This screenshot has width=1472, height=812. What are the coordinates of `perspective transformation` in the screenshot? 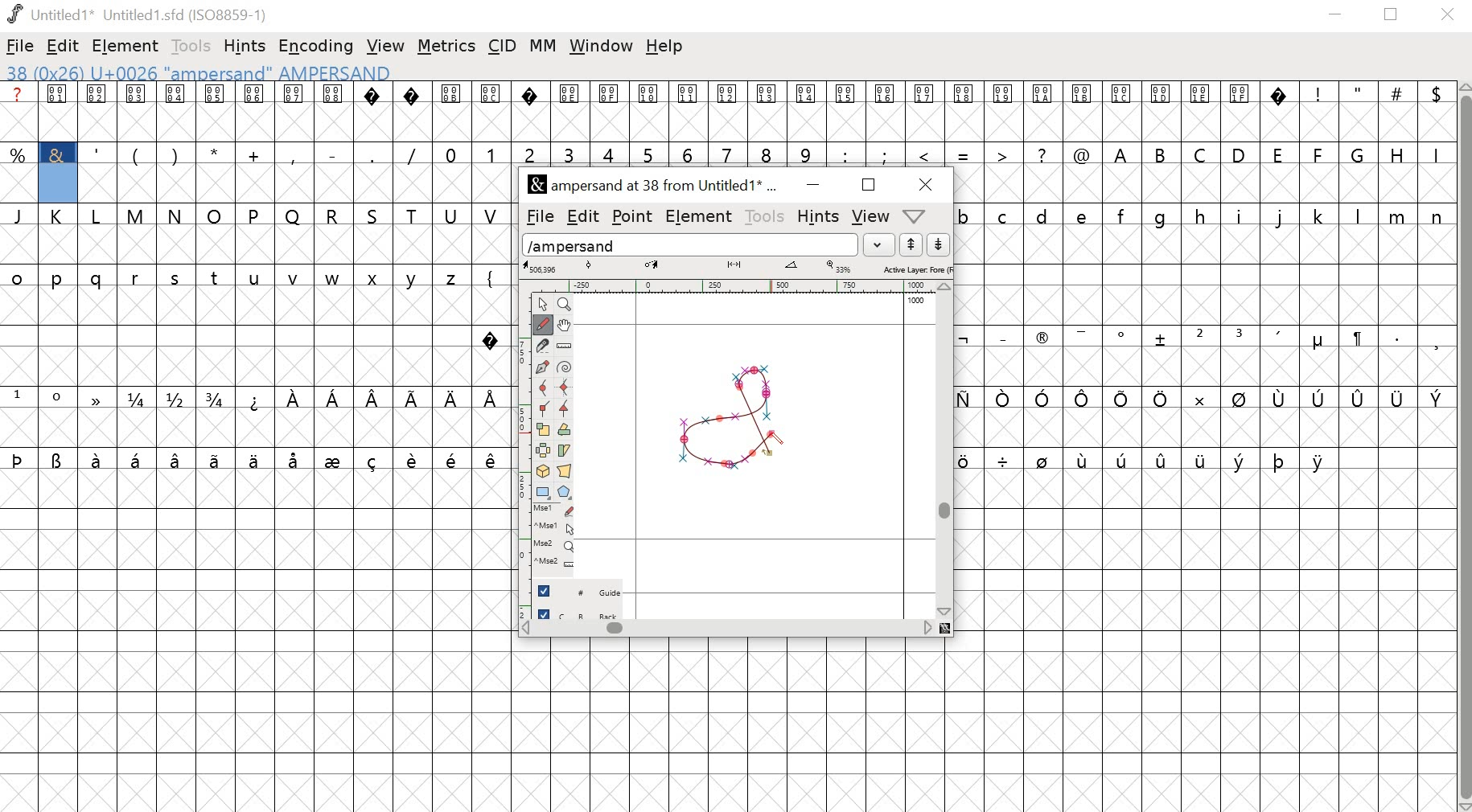 It's located at (566, 471).